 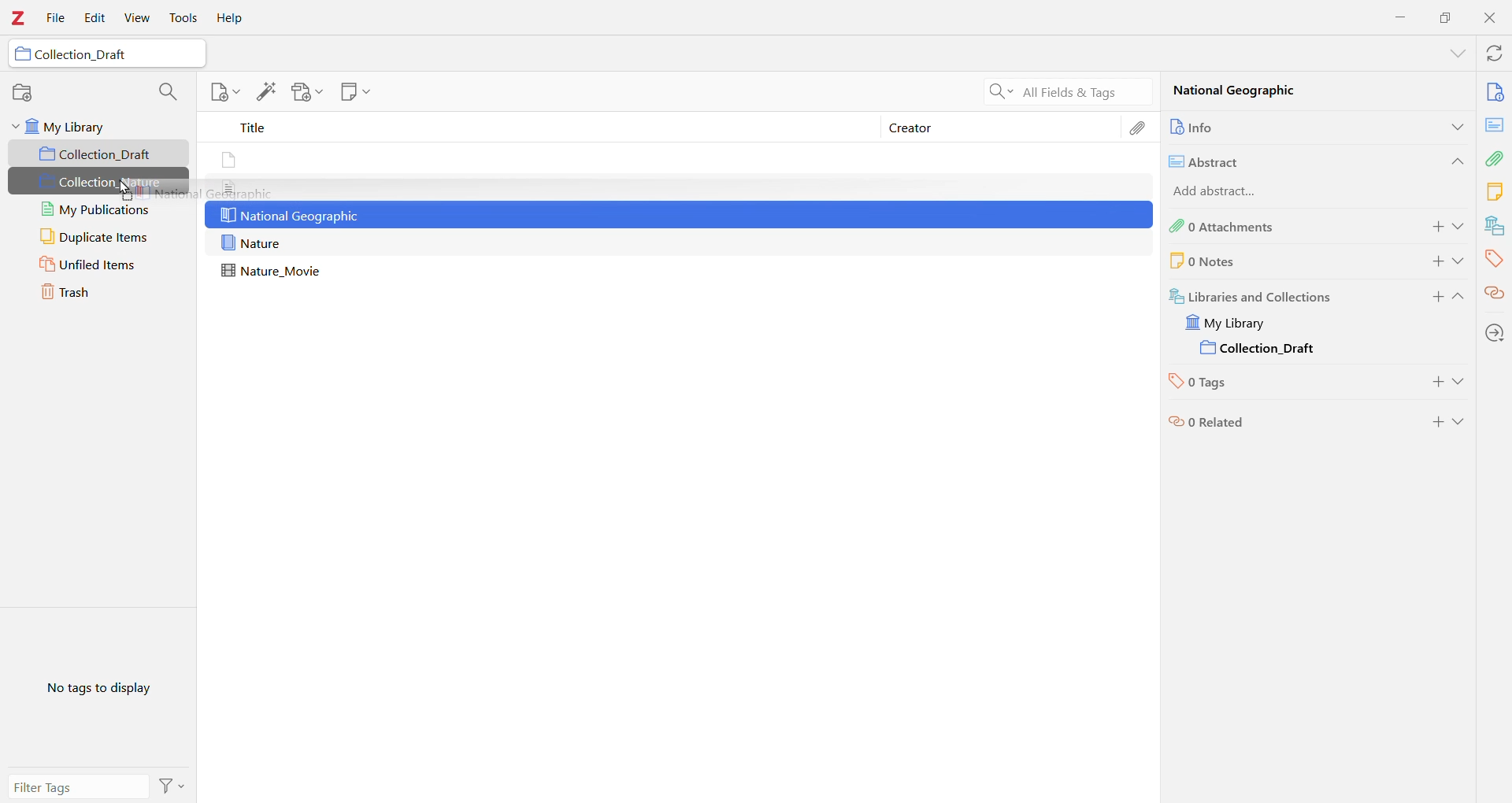 What do you see at coordinates (128, 190) in the screenshot?
I see `cursor` at bounding box center [128, 190].